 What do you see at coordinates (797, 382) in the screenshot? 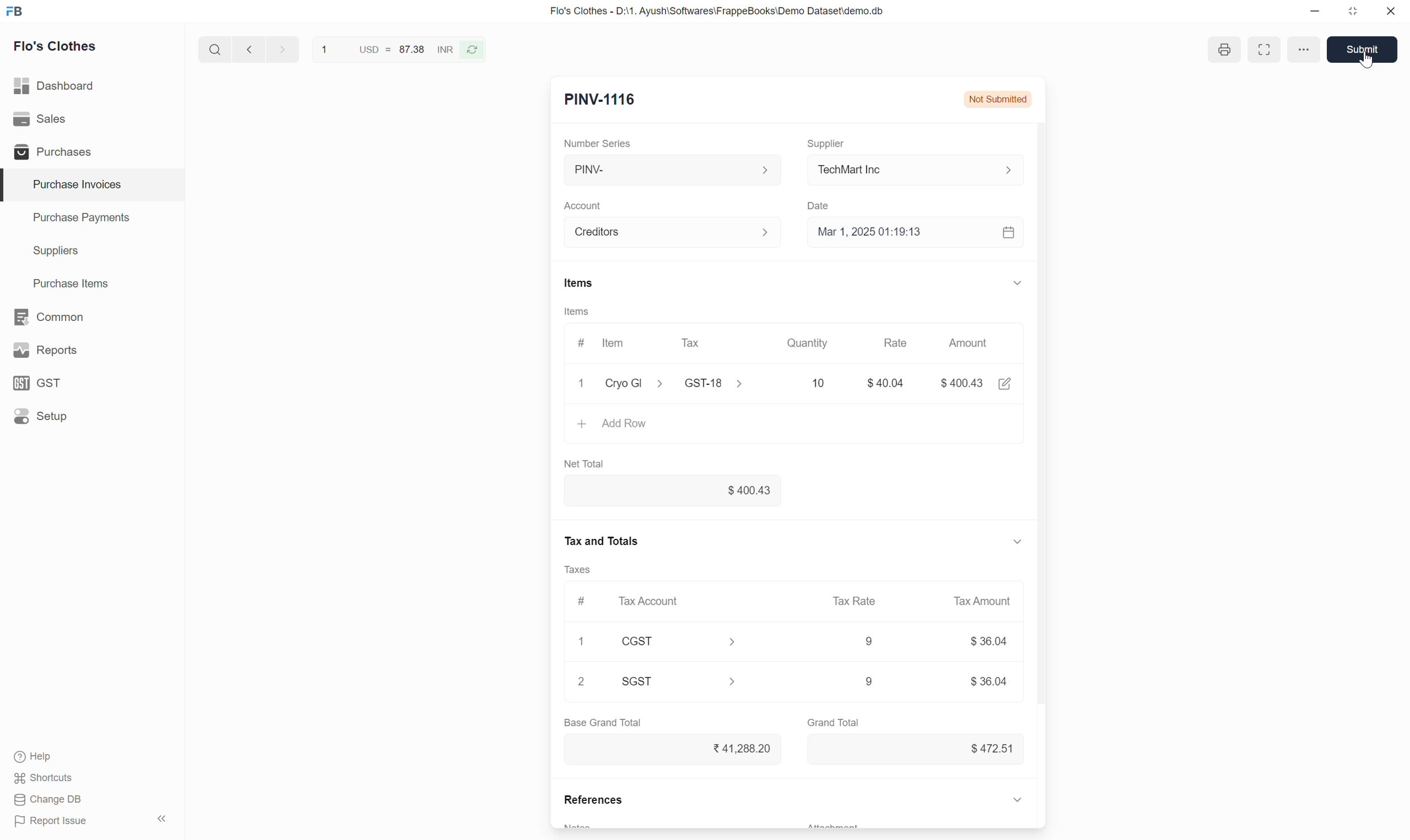
I see `10` at bounding box center [797, 382].